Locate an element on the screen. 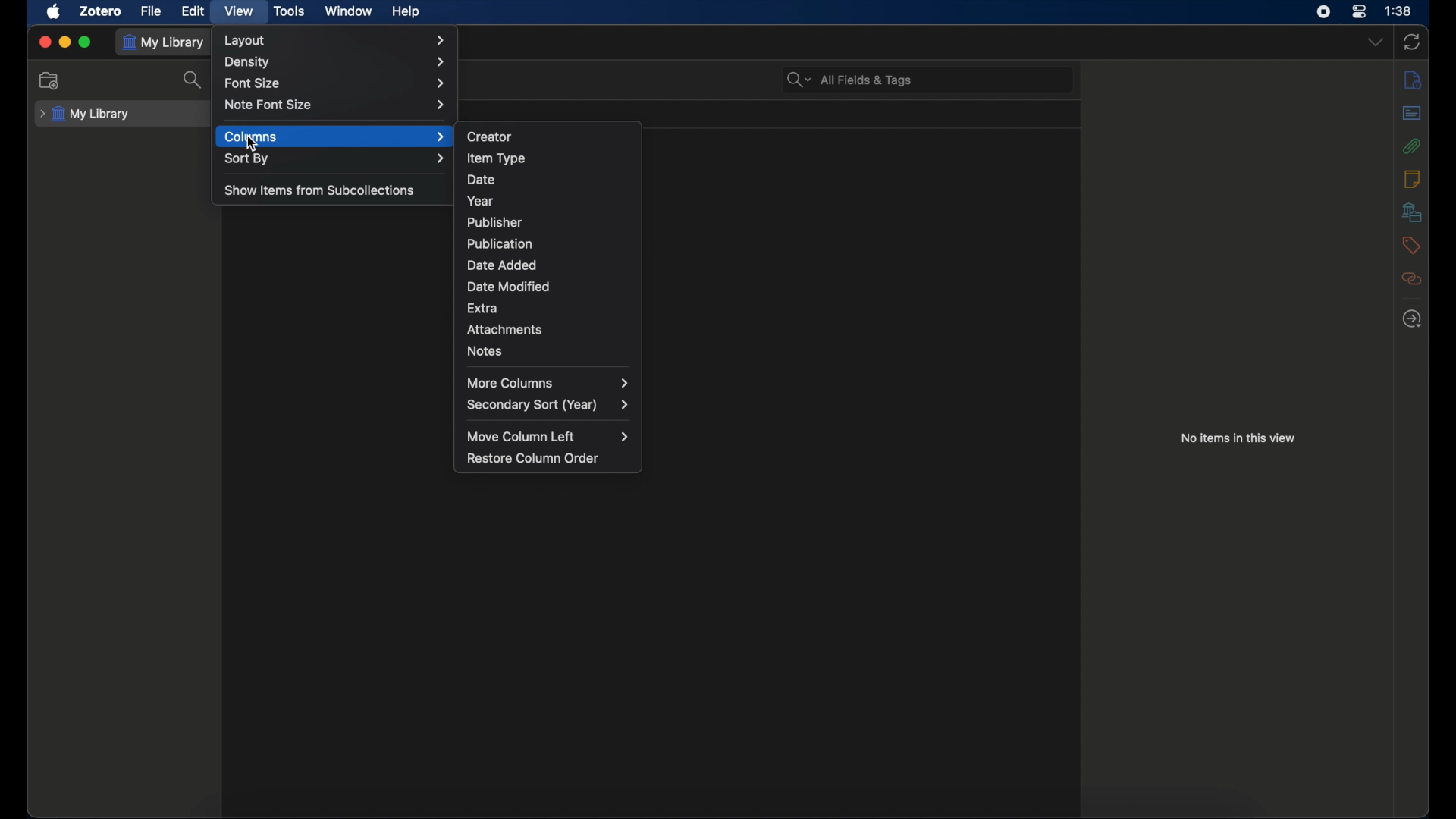 The height and width of the screenshot is (819, 1456). search is located at coordinates (194, 80).